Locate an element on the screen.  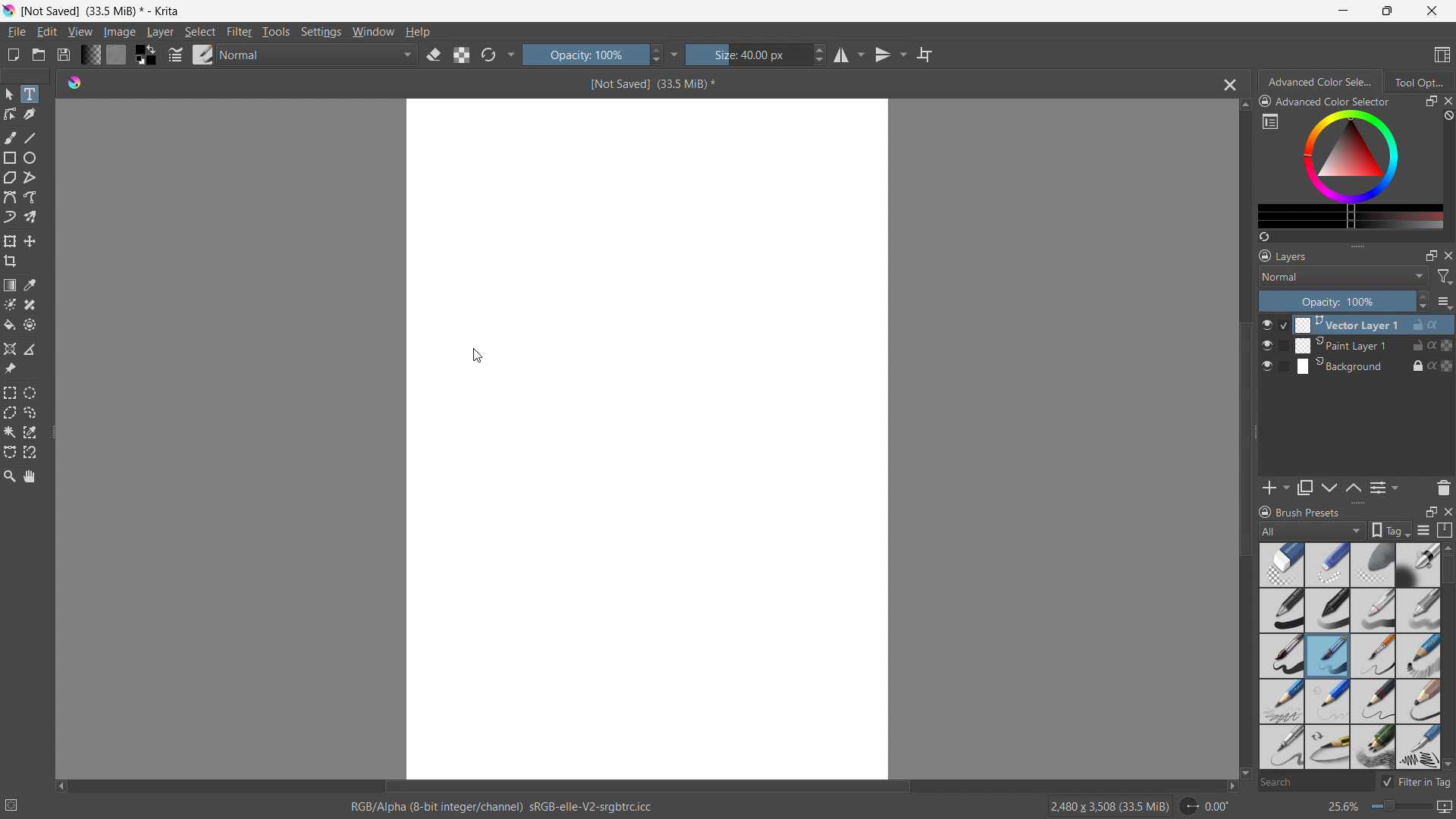
vertical scrollbar is located at coordinates (1241, 439).